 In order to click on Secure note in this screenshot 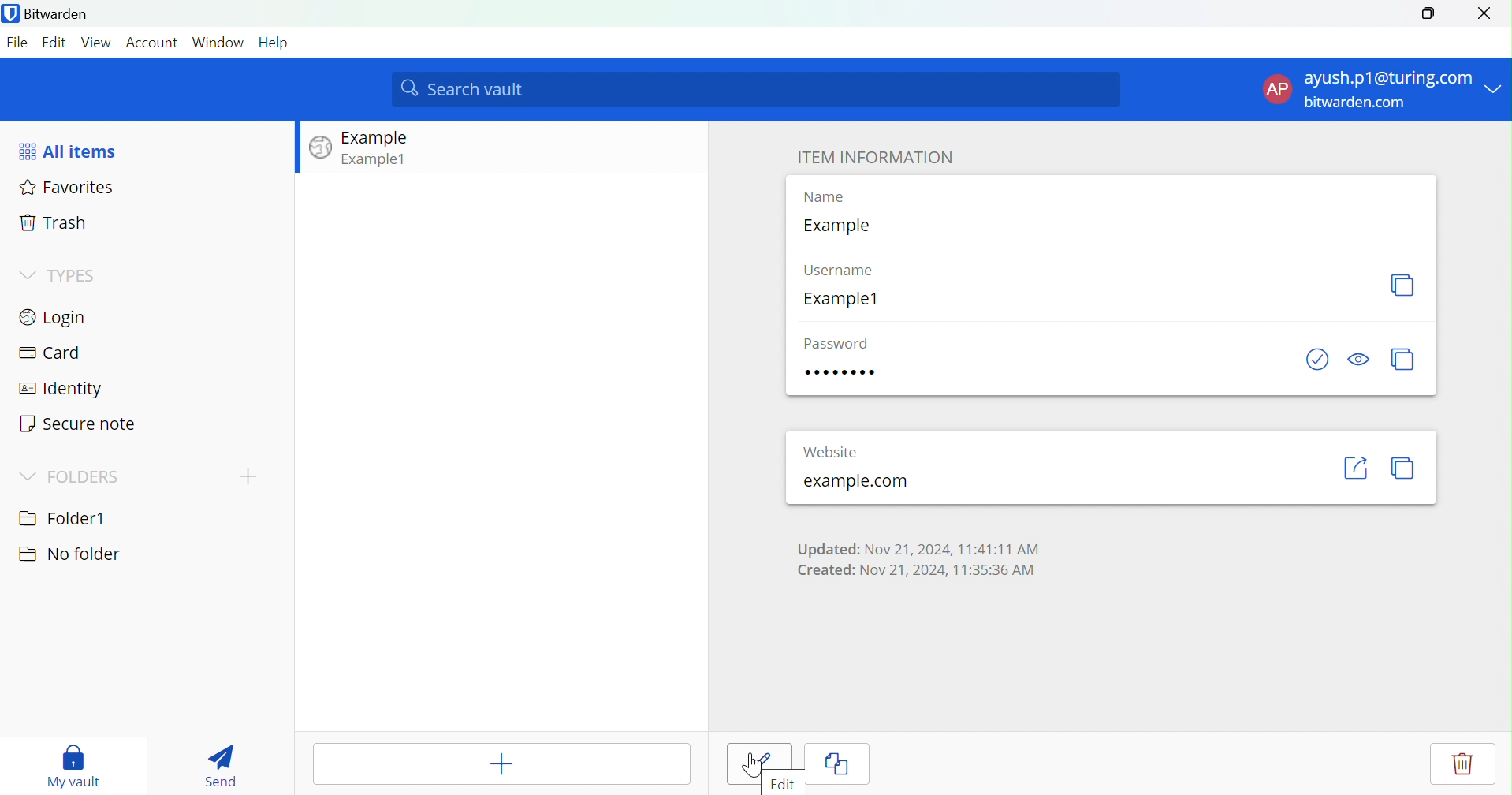, I will do `click(78, 424)`.